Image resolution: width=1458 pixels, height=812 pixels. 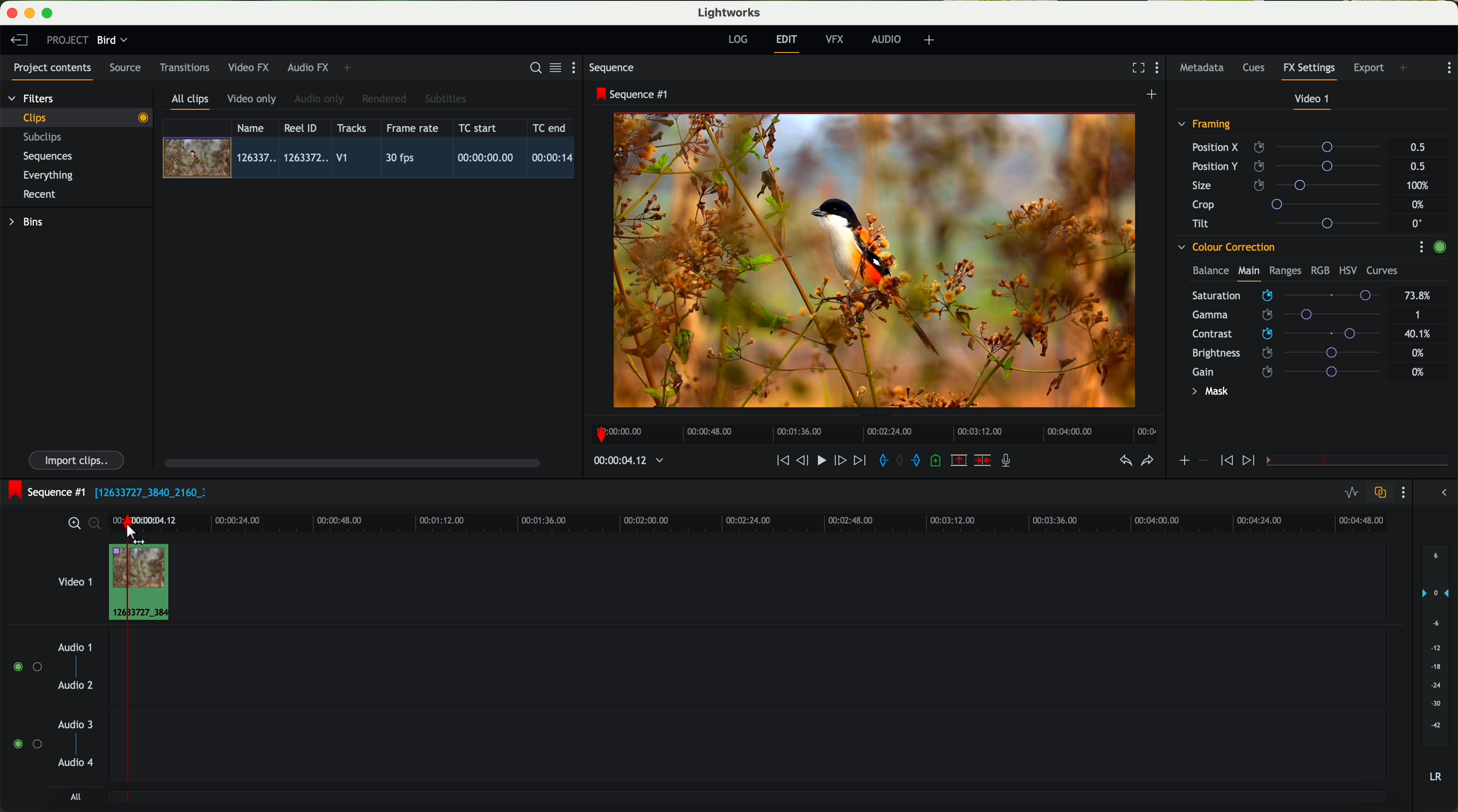 I want to click on search for assets or bins, so click(x=532, y=68).